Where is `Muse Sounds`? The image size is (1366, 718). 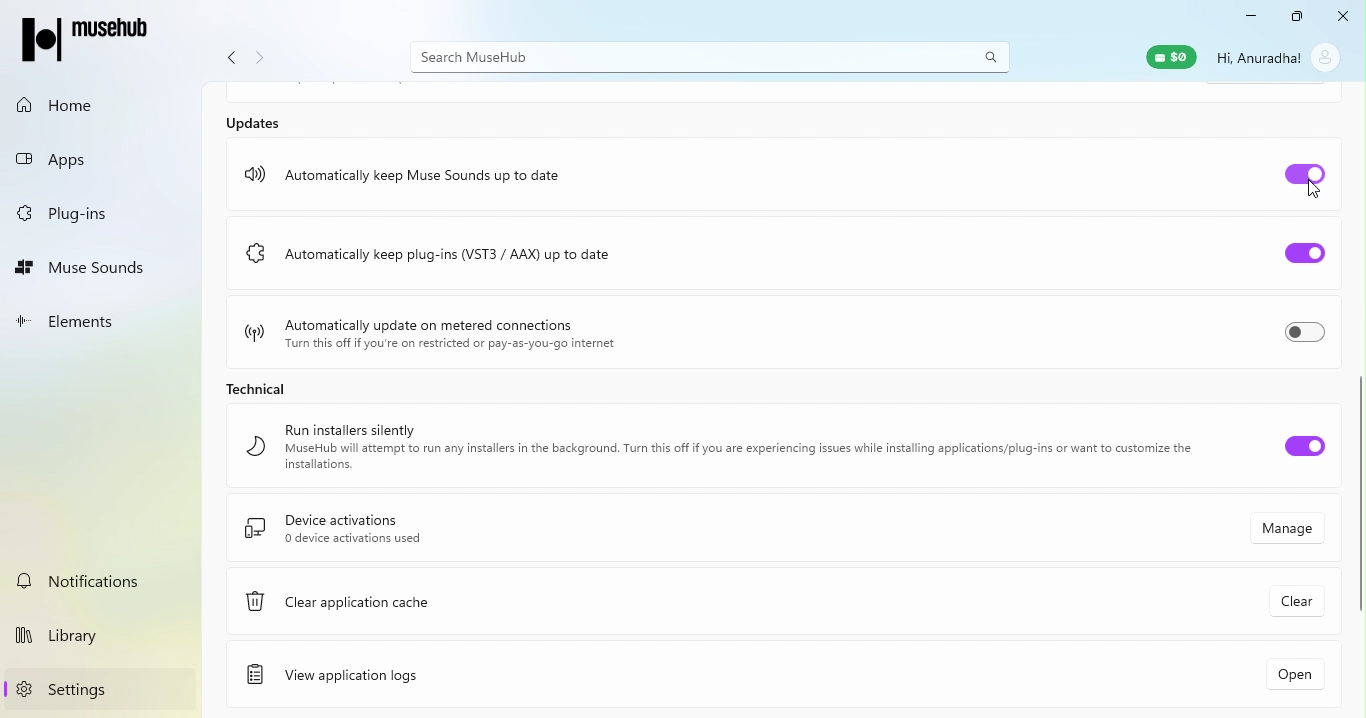 Muse Sounds is located at coordinates (92, 263).